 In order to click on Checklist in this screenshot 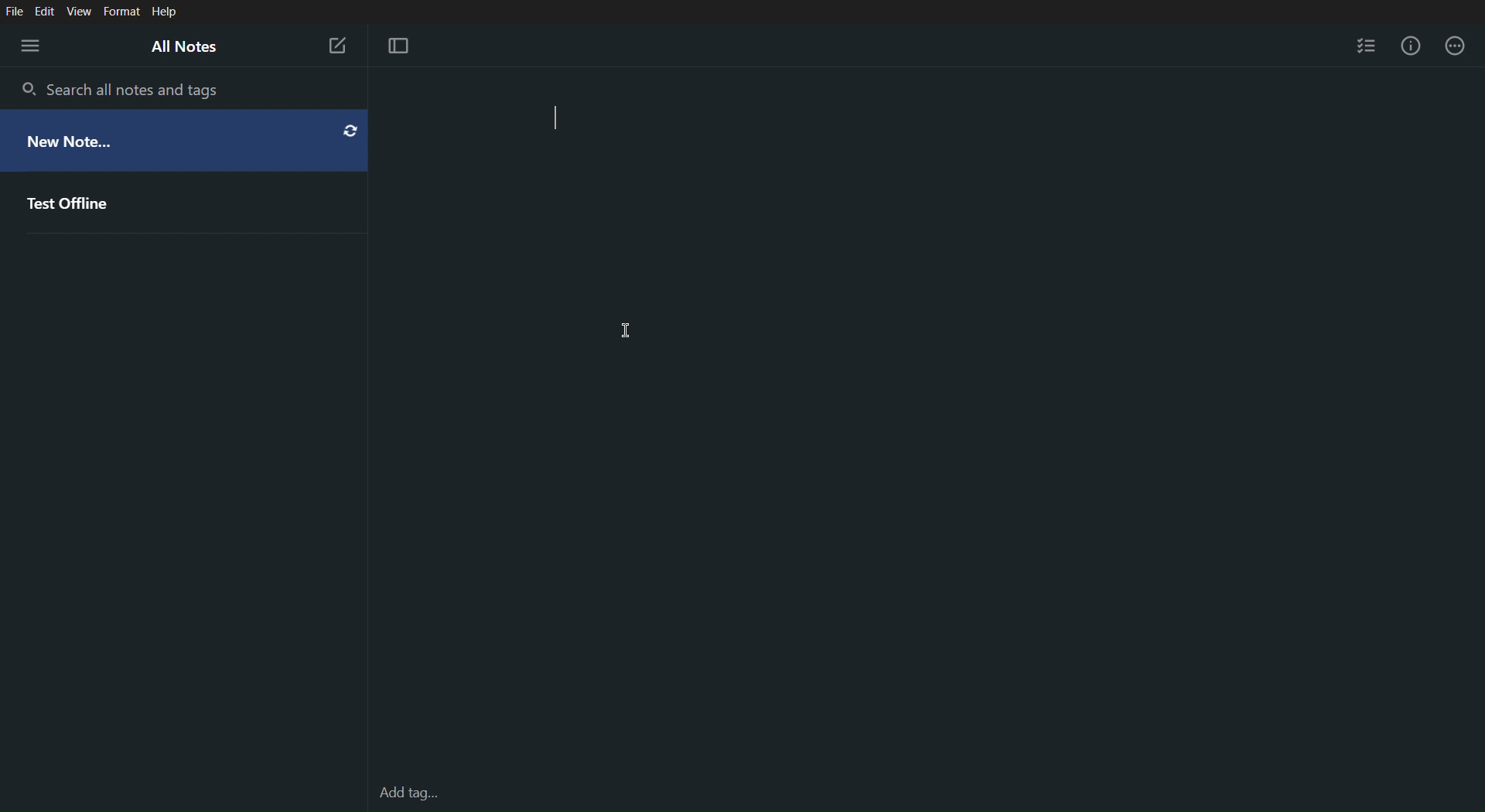, I will do `click(1367, 48)`.